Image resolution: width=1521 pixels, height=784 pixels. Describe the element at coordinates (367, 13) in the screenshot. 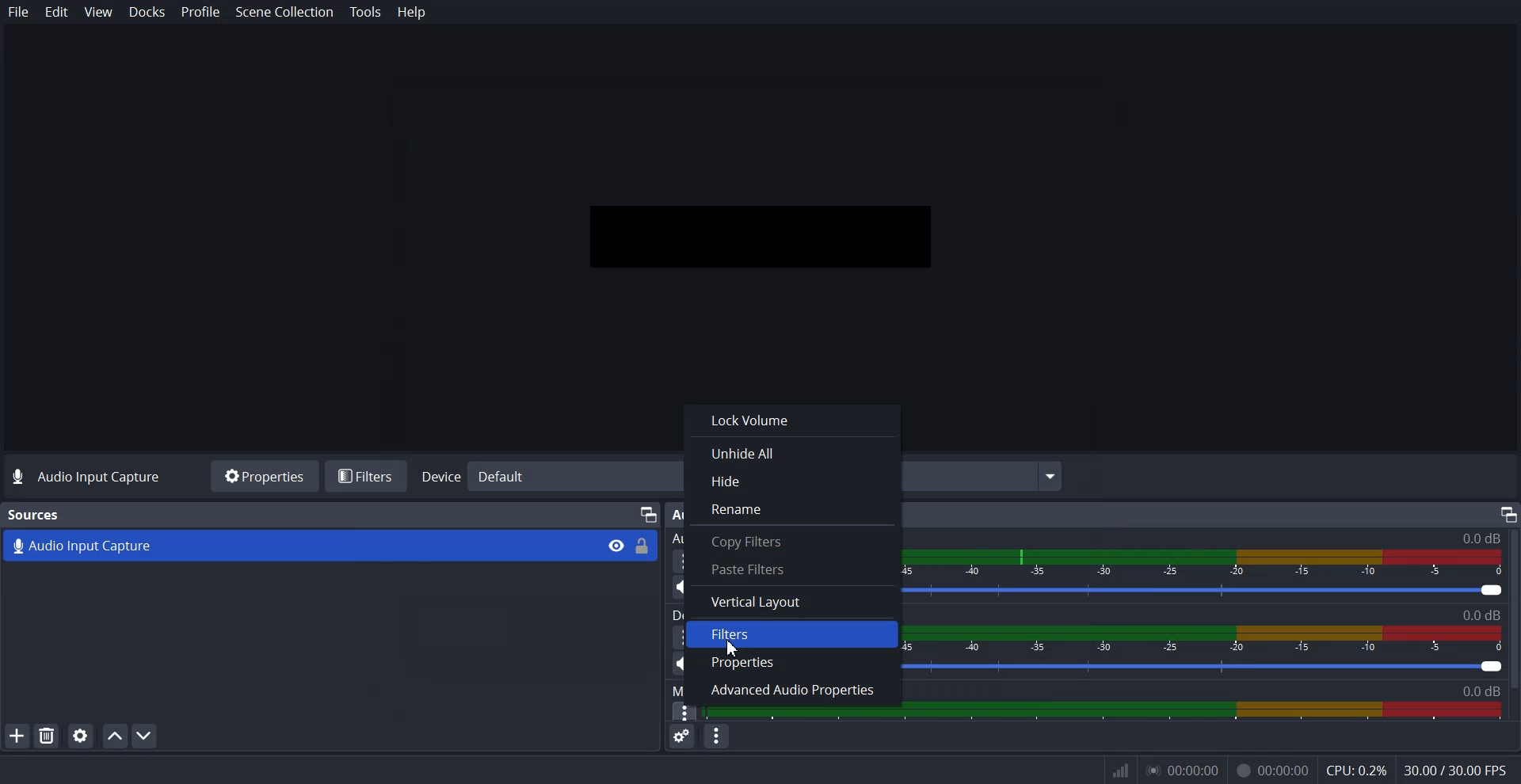

I see `Tools` at that location.